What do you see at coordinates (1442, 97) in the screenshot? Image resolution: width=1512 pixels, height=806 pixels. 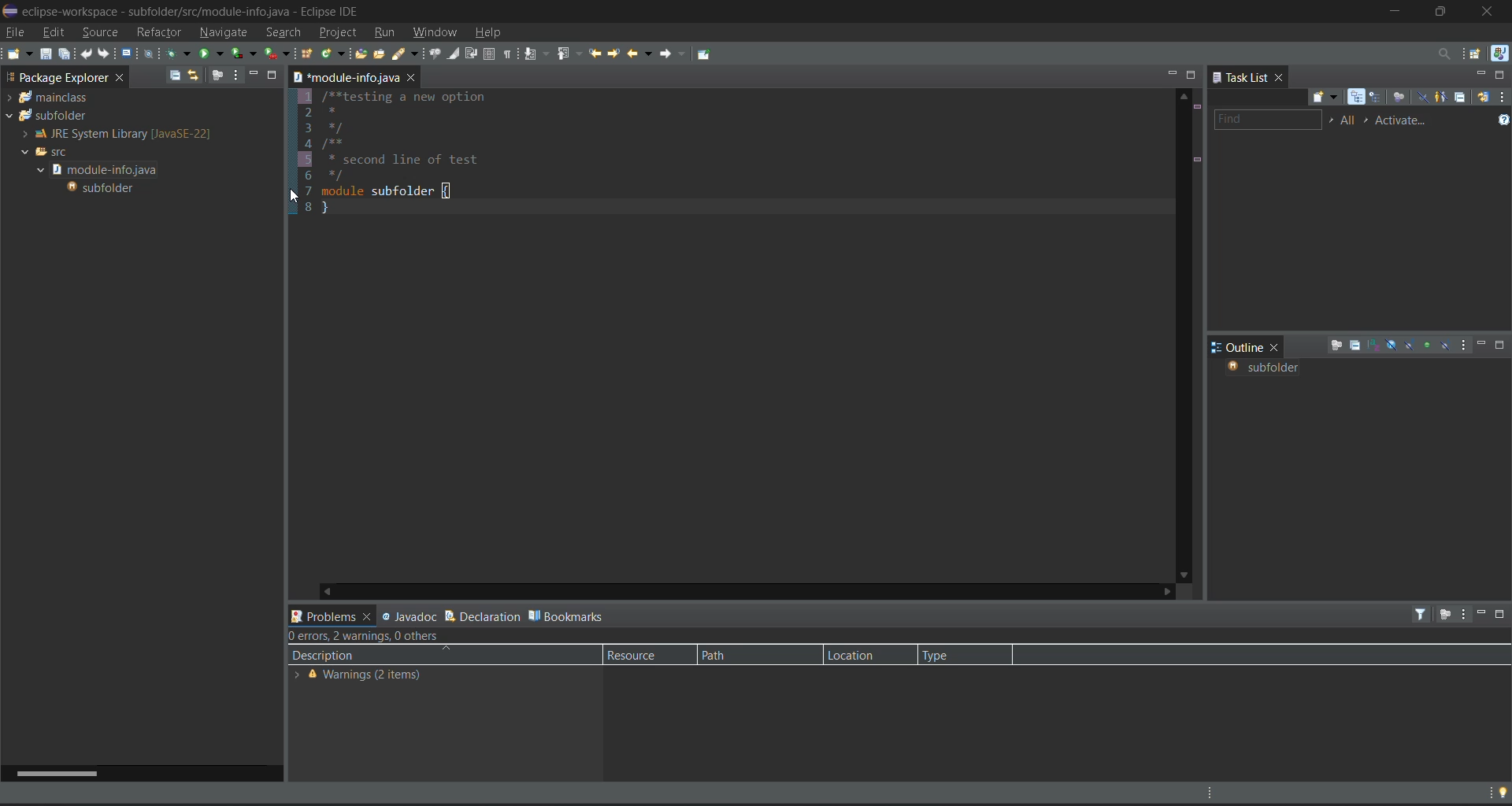 I see `show only my tasks` at bounding box center [1442, 97].